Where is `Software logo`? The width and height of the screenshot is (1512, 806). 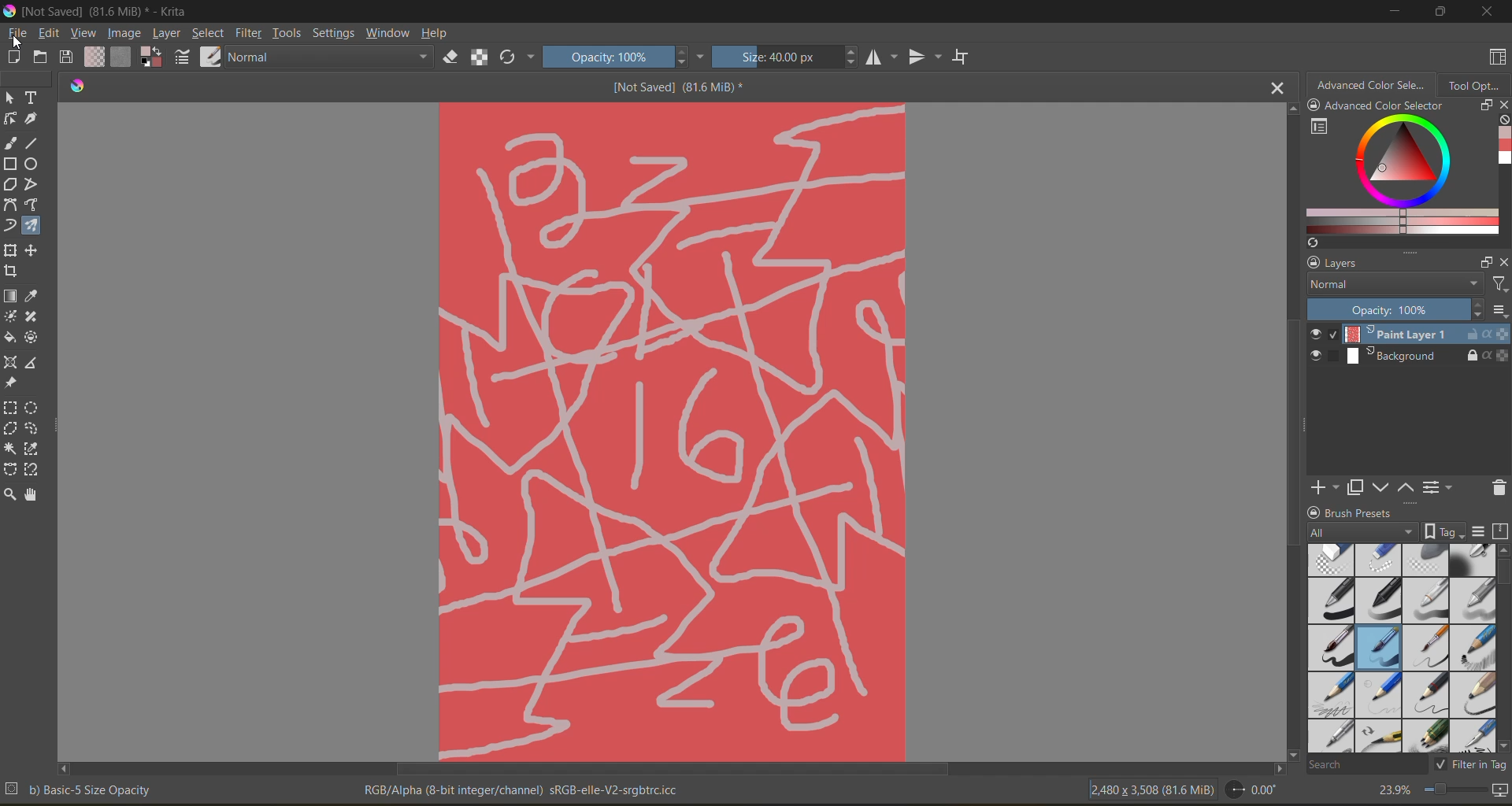
Software logo is located at coordinates (77, 84).